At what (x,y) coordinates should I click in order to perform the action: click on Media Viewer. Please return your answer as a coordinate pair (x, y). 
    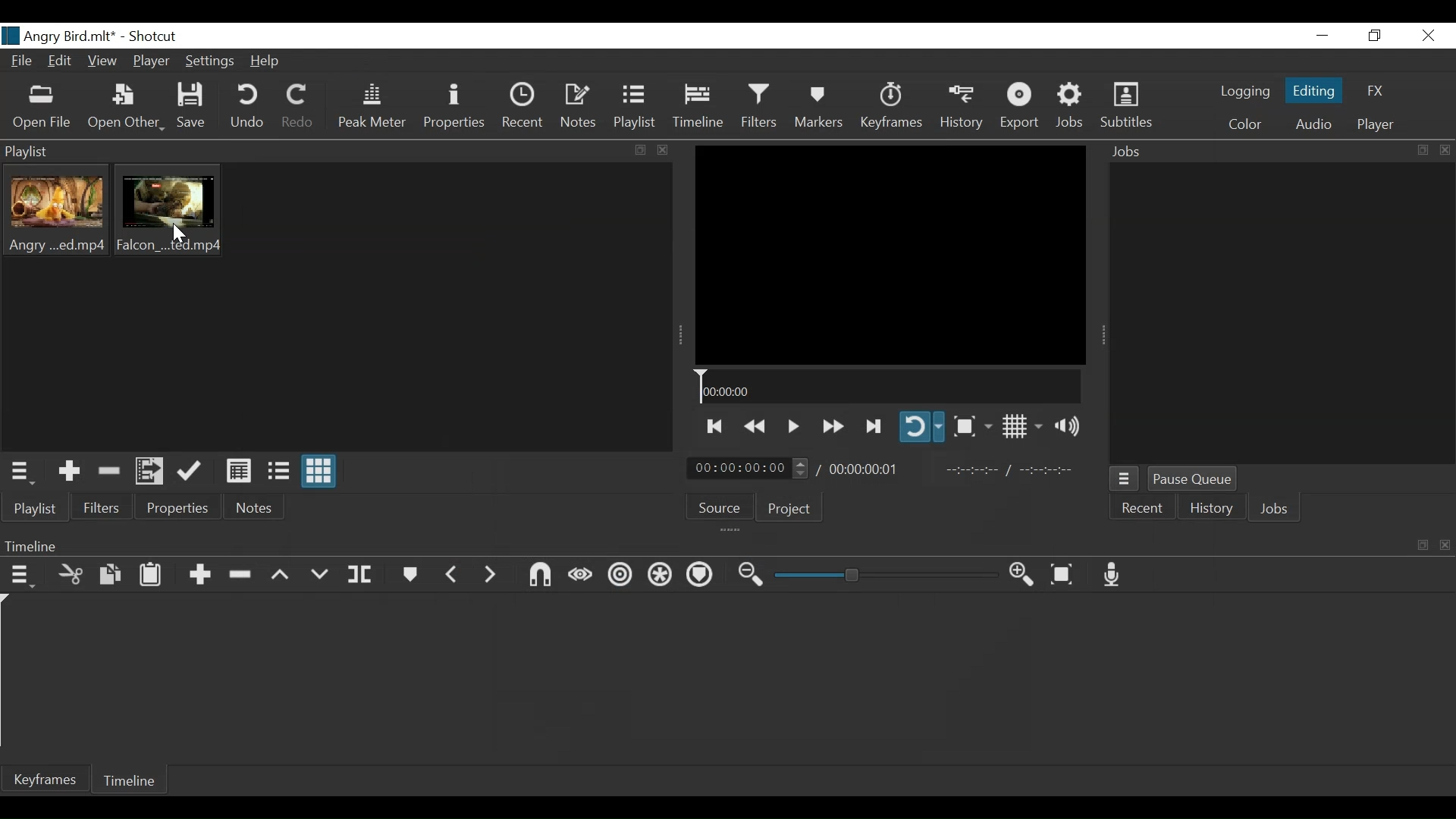
    Looking at the image, I should click on (890, 252).